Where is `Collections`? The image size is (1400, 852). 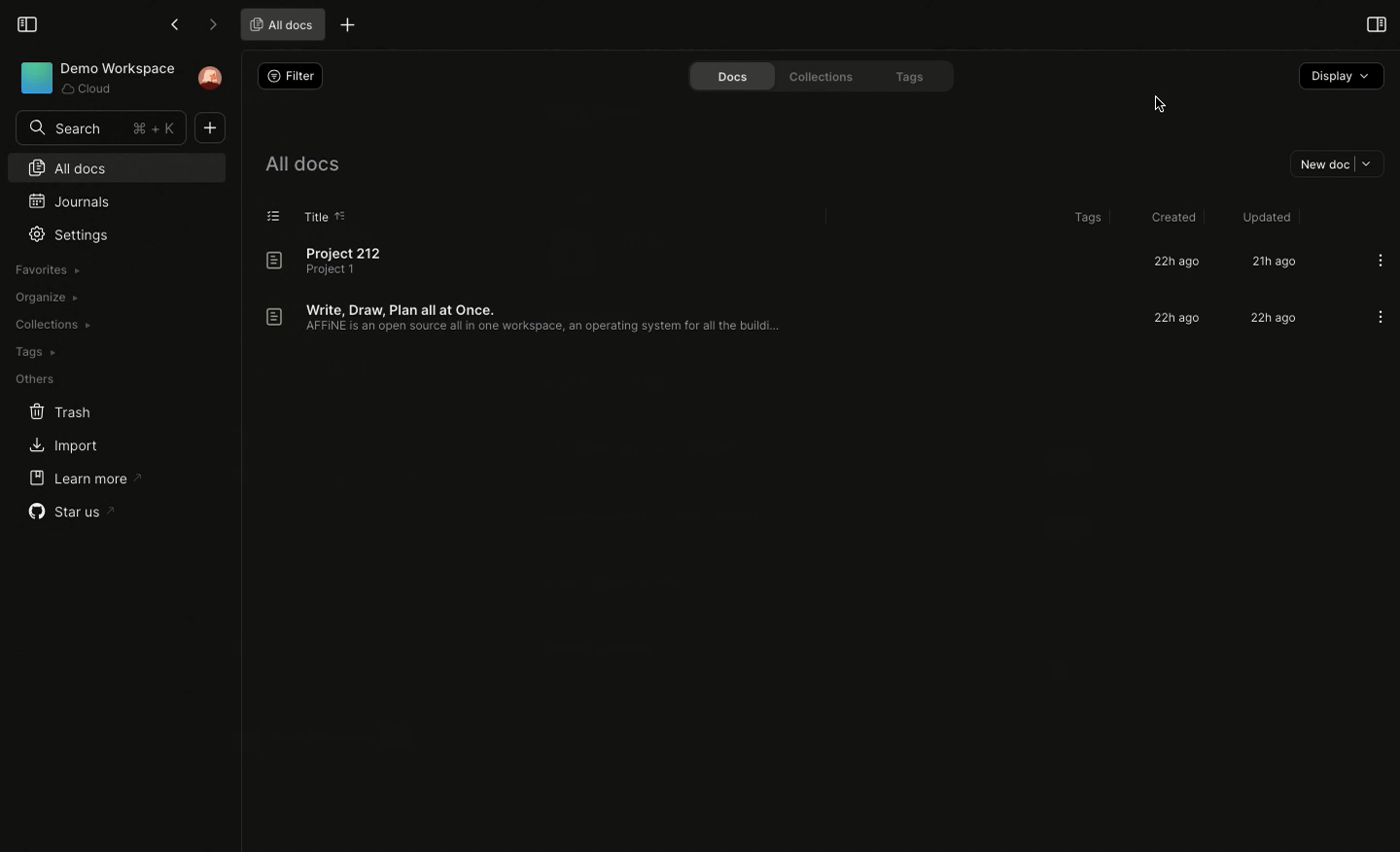 Collections is located at coordinates (52, 325).